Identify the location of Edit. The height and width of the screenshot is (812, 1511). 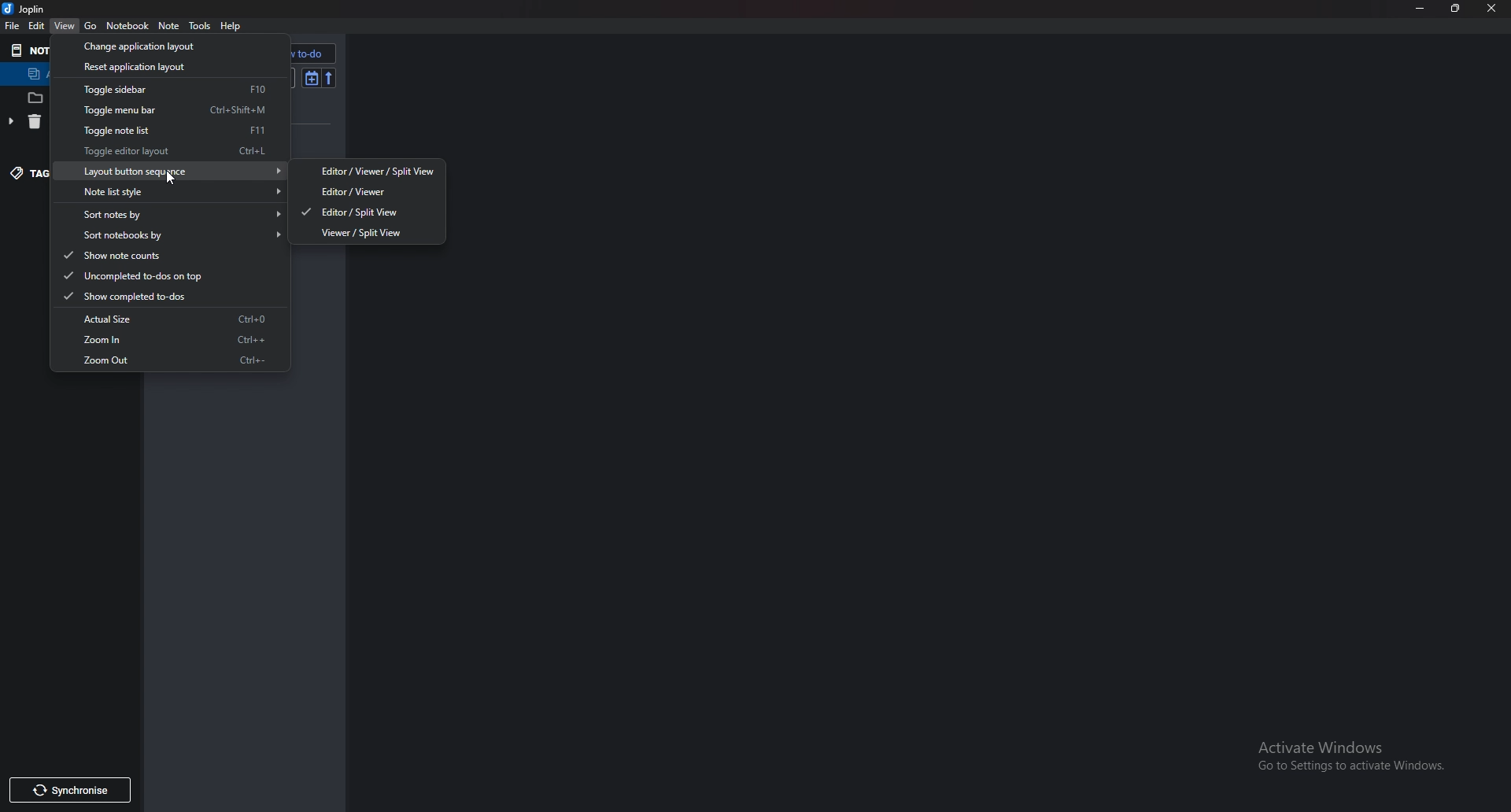
(37, 26).